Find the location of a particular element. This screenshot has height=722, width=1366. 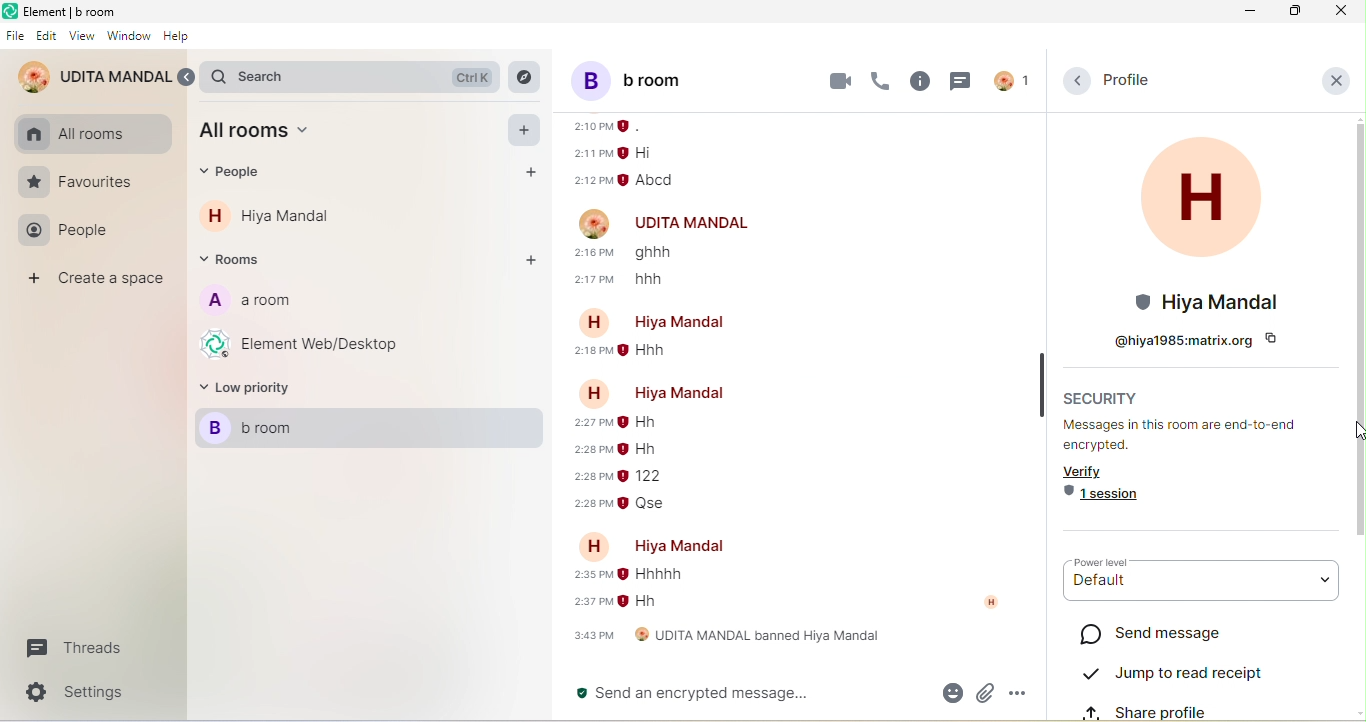

emoji is located at coordinates (949, 692).